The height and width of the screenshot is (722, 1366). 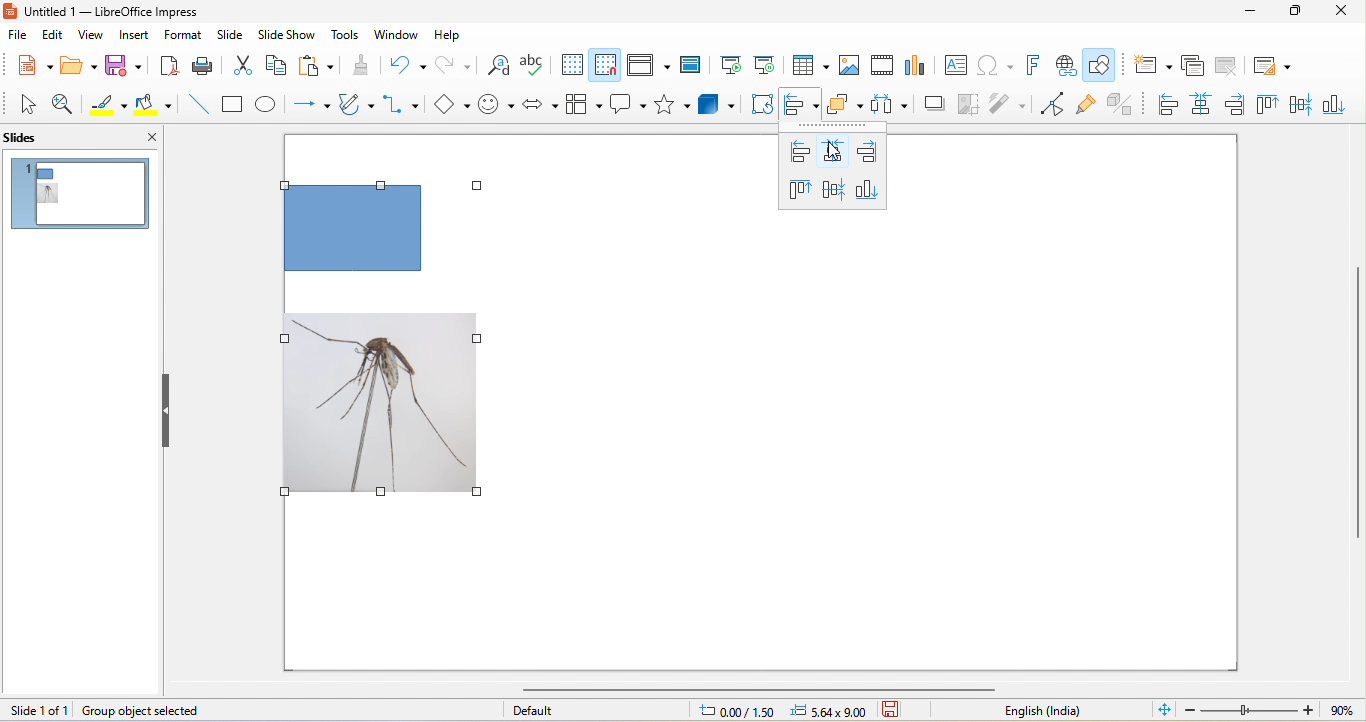 What do you see at coordinates (496, 106) in the screenshot?
I see `symbol shape` at bounding box center [496, 106].